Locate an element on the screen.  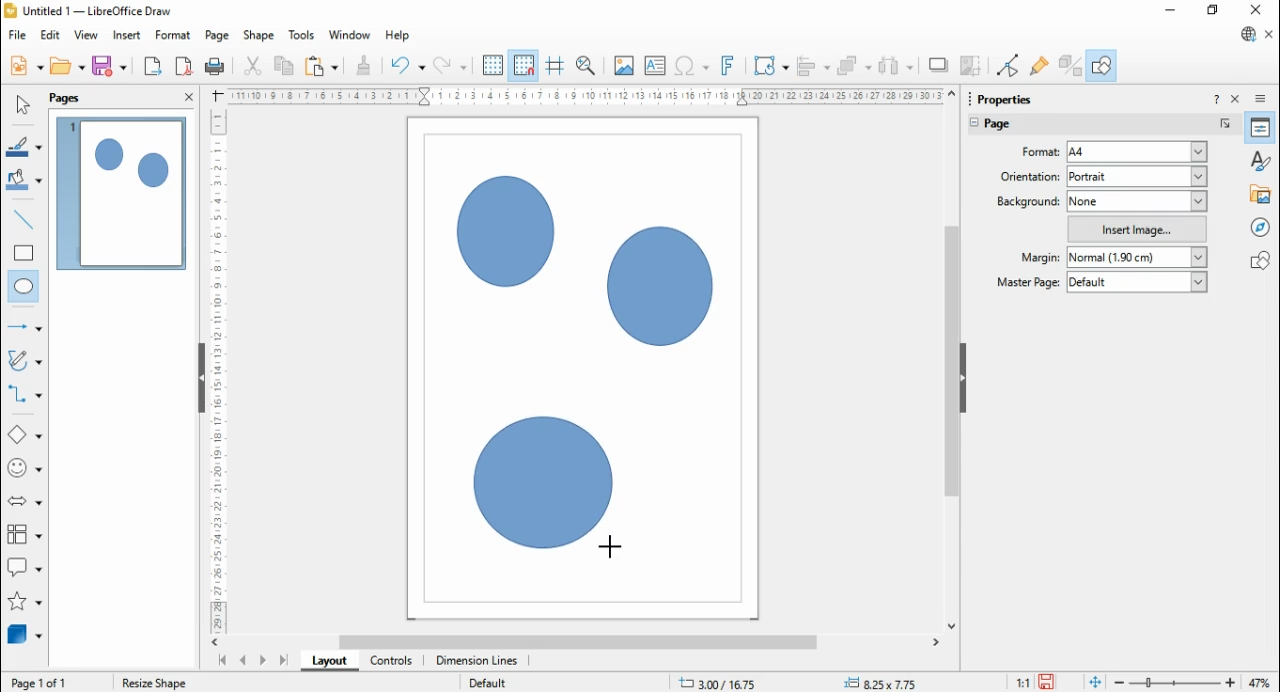
scroll bar is located at coordinates (952, 359).